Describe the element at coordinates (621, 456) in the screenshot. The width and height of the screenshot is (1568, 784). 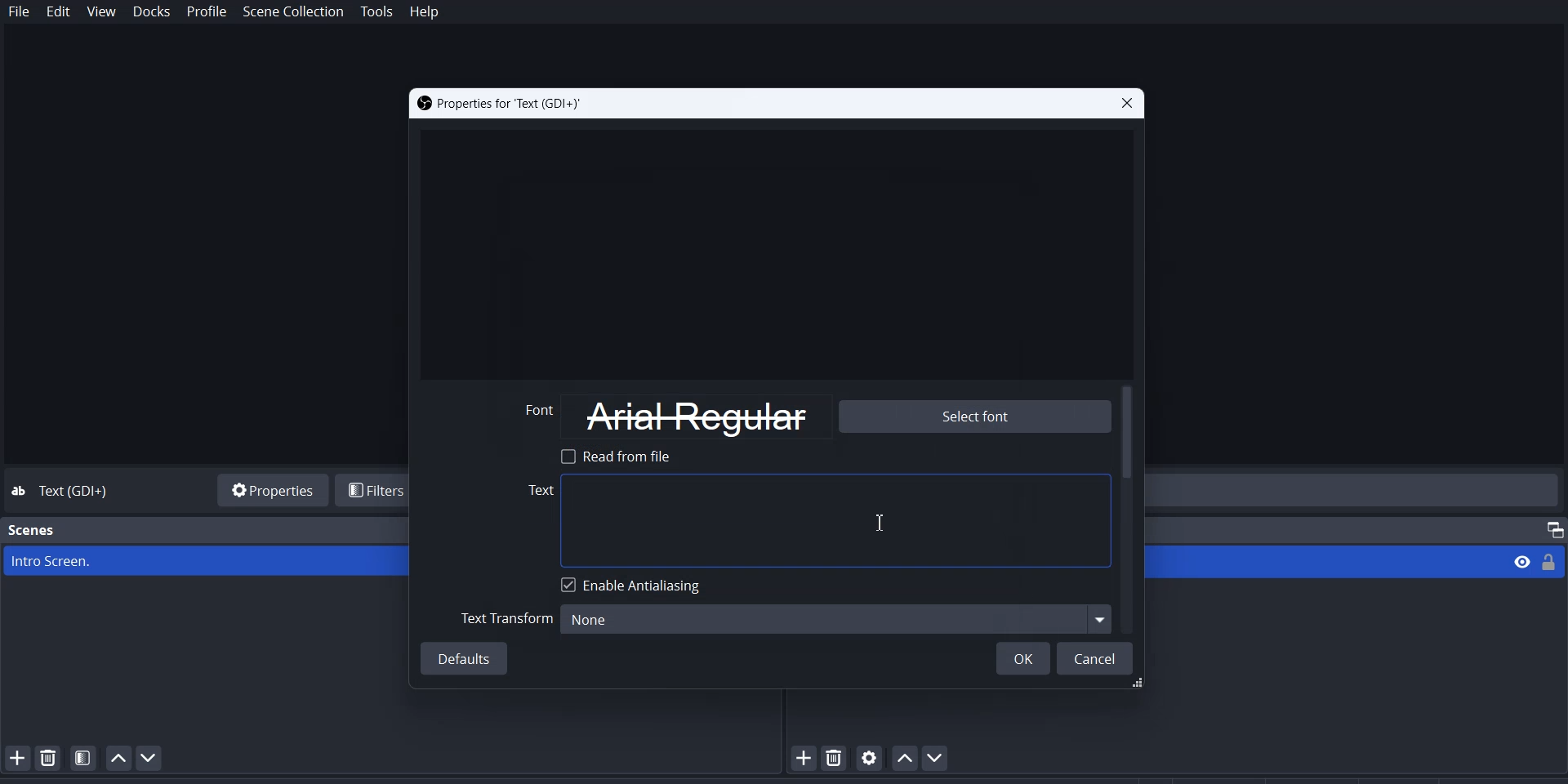
I see `Read From file` at that location.